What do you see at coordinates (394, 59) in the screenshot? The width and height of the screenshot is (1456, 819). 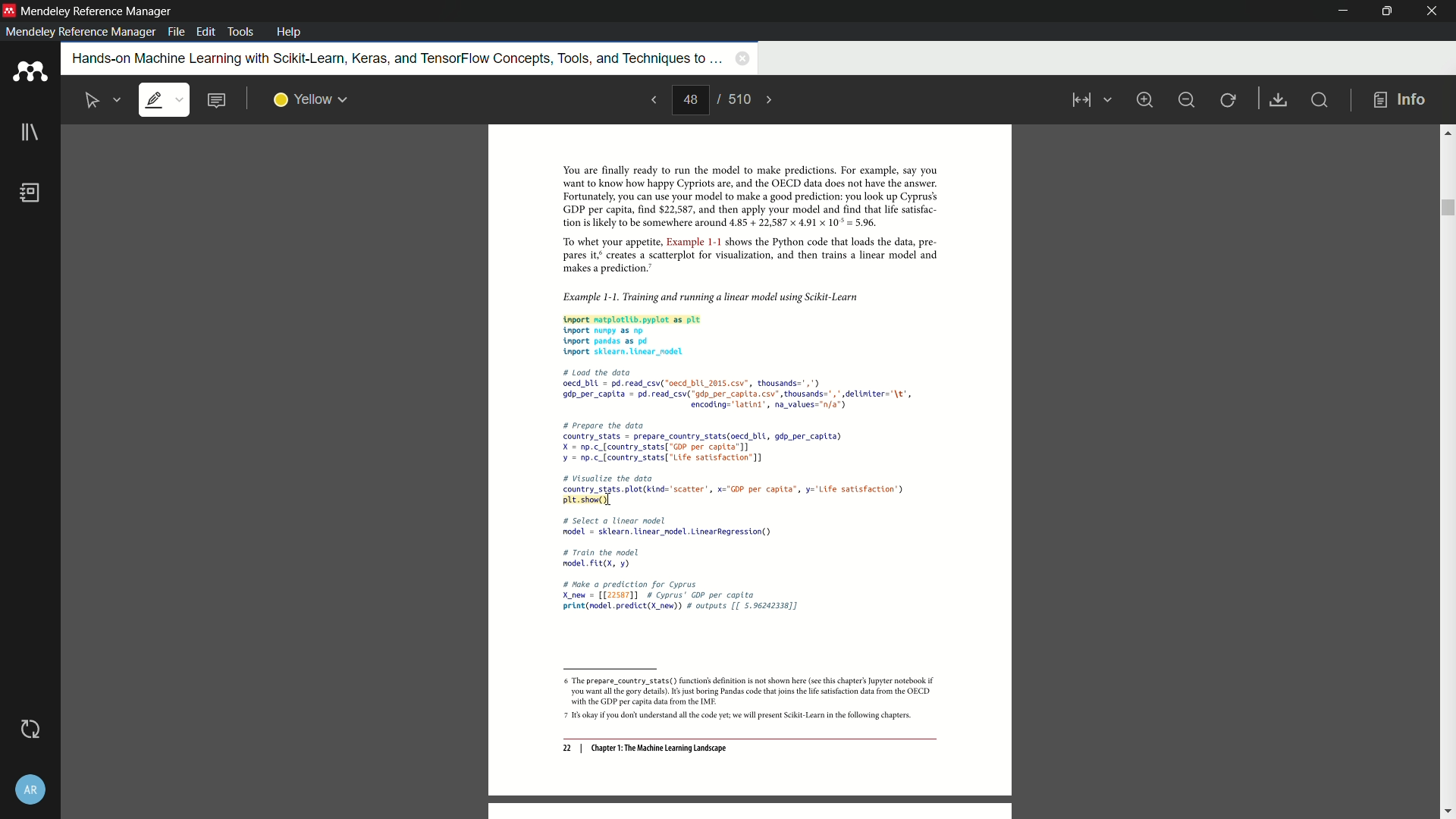 I see `book name` at bounding box center [394, 59].